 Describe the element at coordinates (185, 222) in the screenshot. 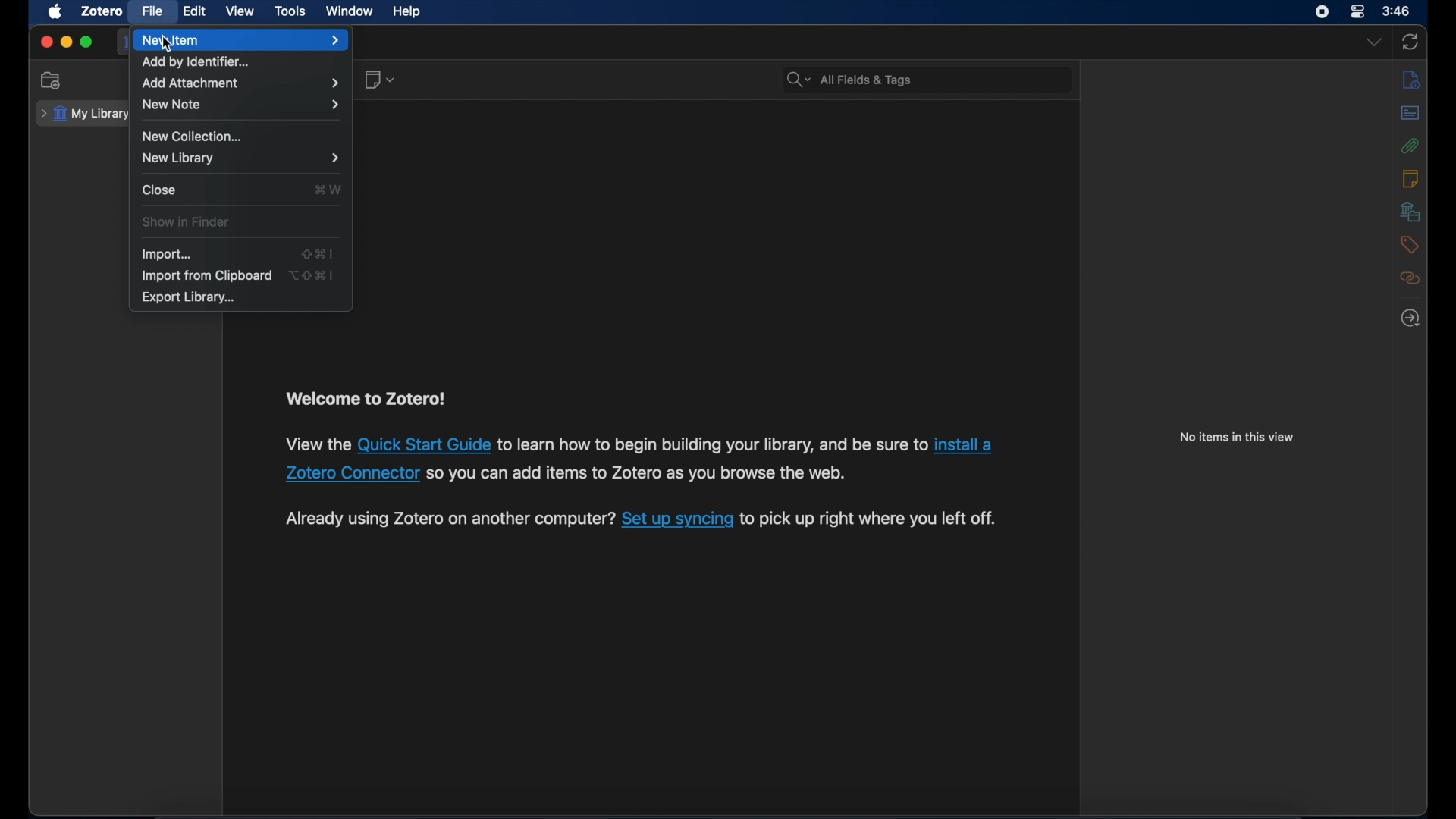

I see `show in finder` at that location.